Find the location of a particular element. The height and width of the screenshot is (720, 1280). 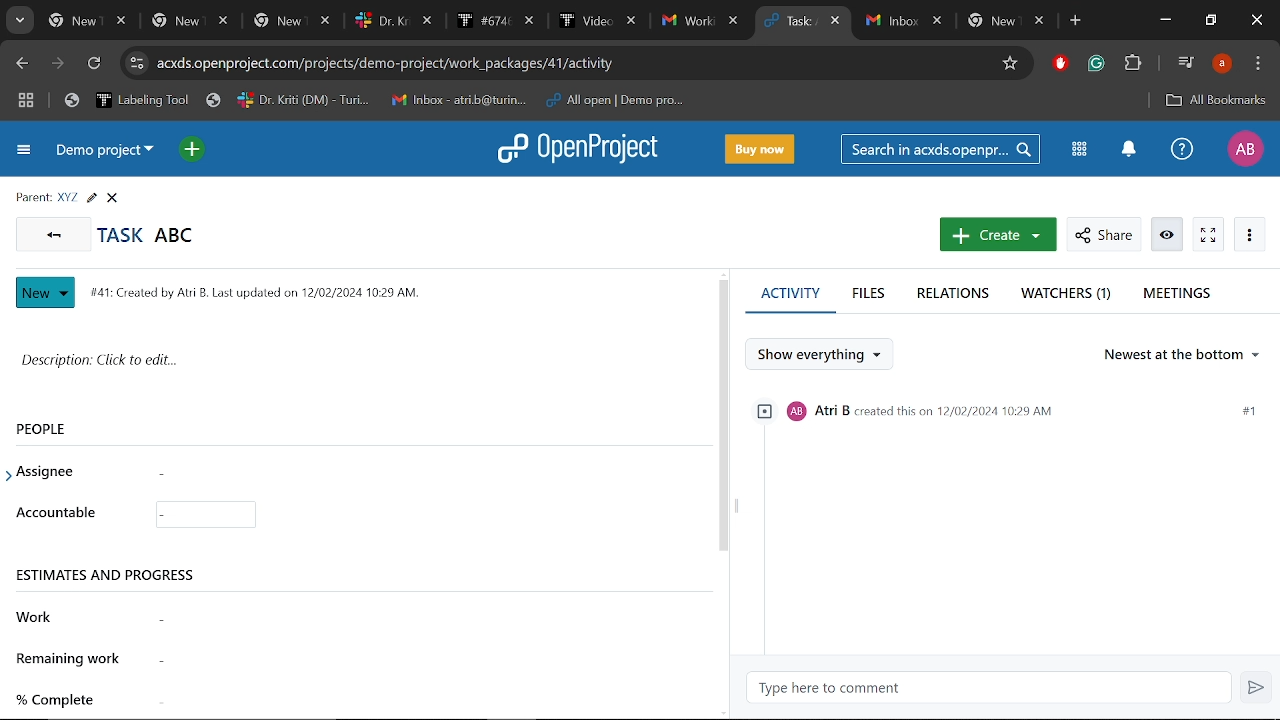

Openproject logo is located at coordinates (580, 149).